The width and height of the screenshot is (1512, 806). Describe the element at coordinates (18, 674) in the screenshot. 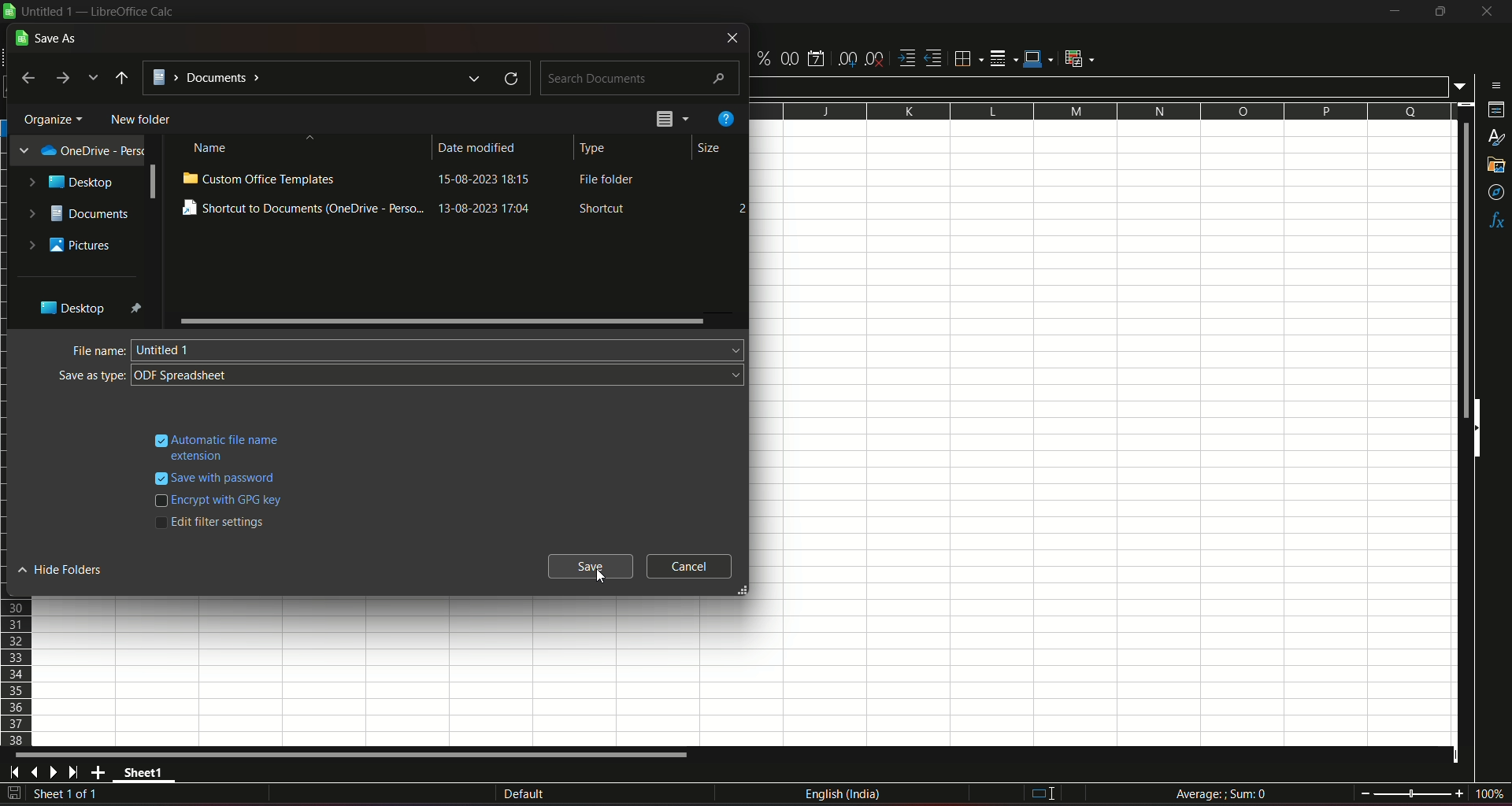

I see `rows` at that location.